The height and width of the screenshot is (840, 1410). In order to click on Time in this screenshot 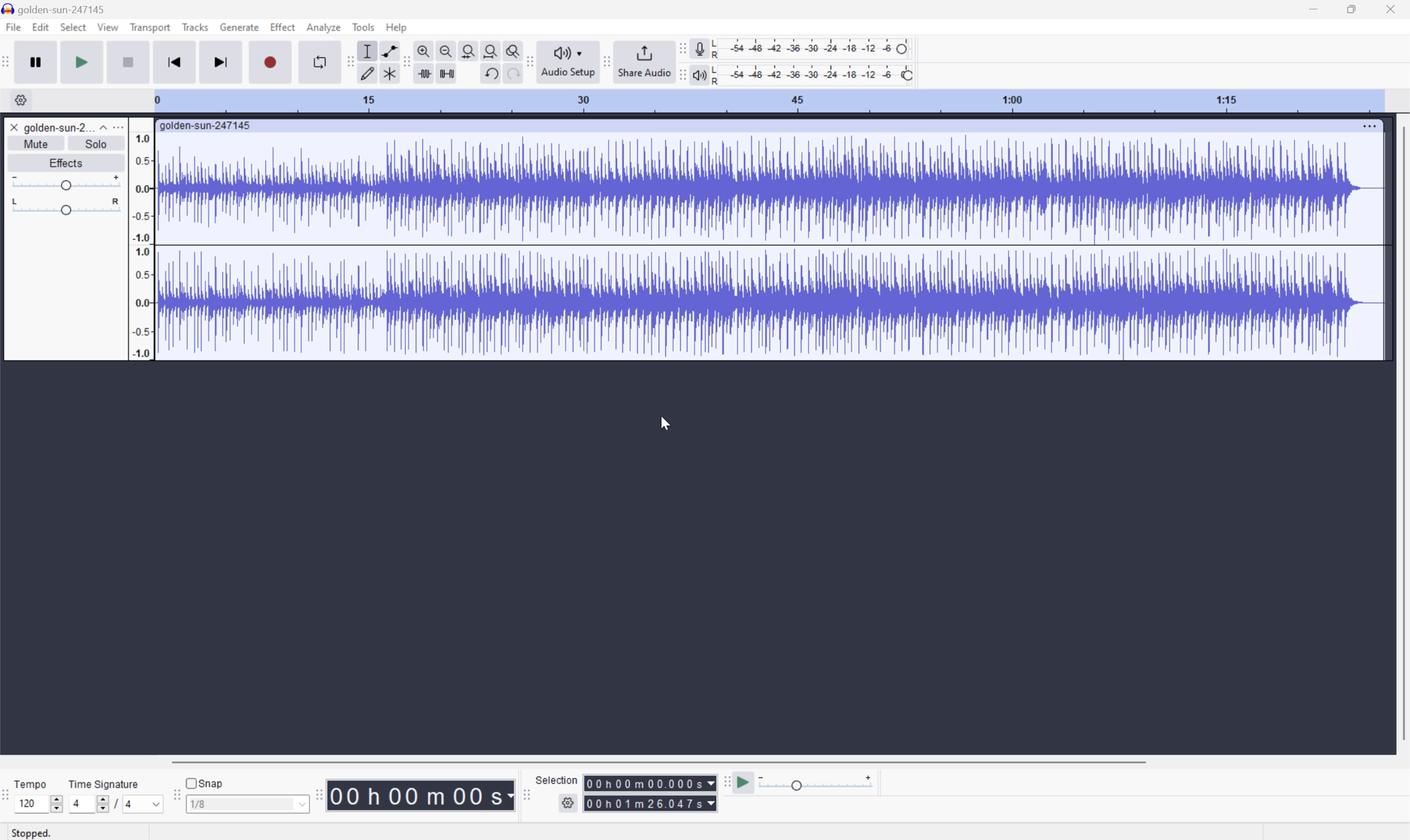, I will do `click(421, 794)`.